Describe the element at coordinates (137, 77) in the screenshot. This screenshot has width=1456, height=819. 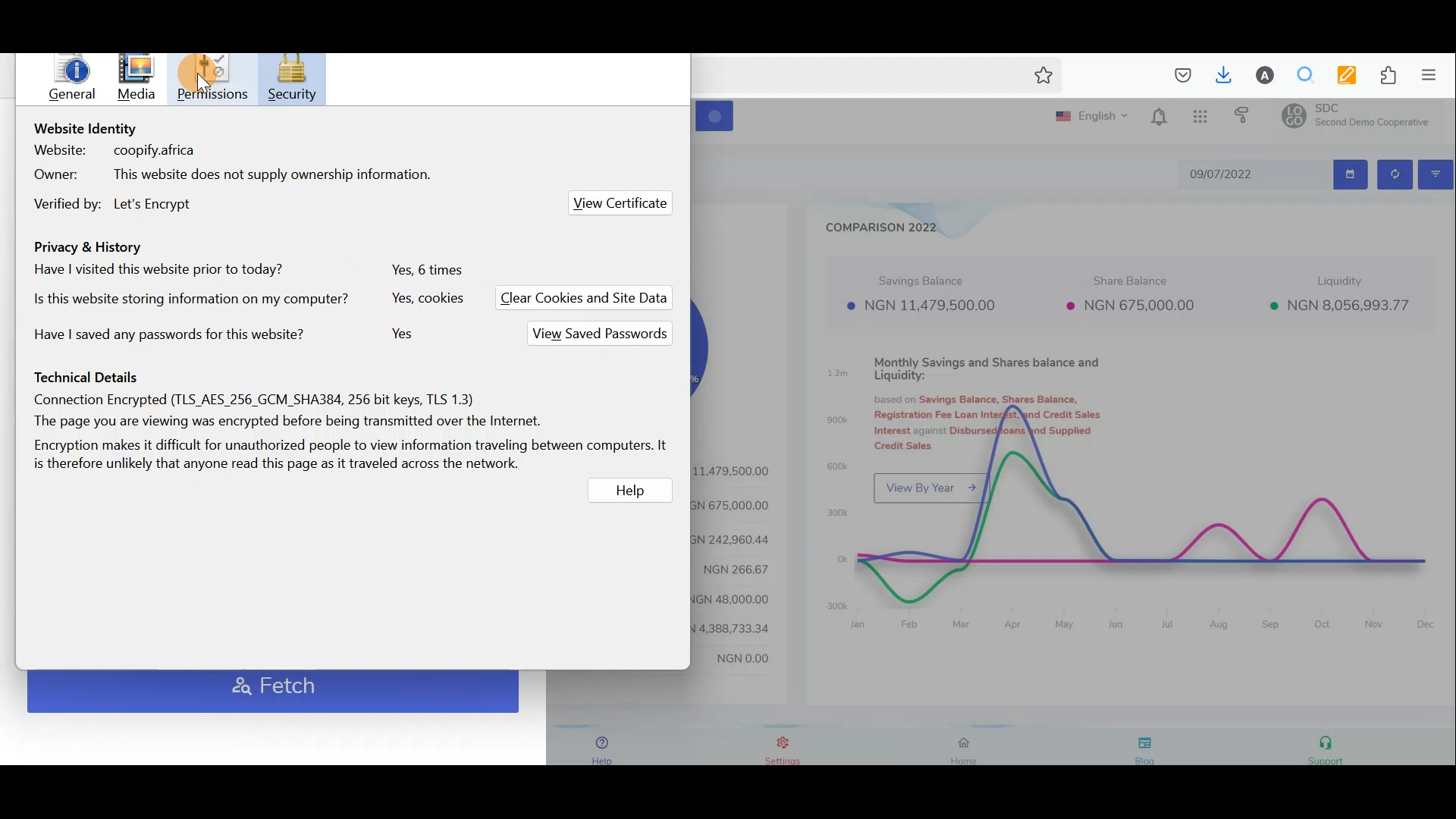
I see `Media` at that location.